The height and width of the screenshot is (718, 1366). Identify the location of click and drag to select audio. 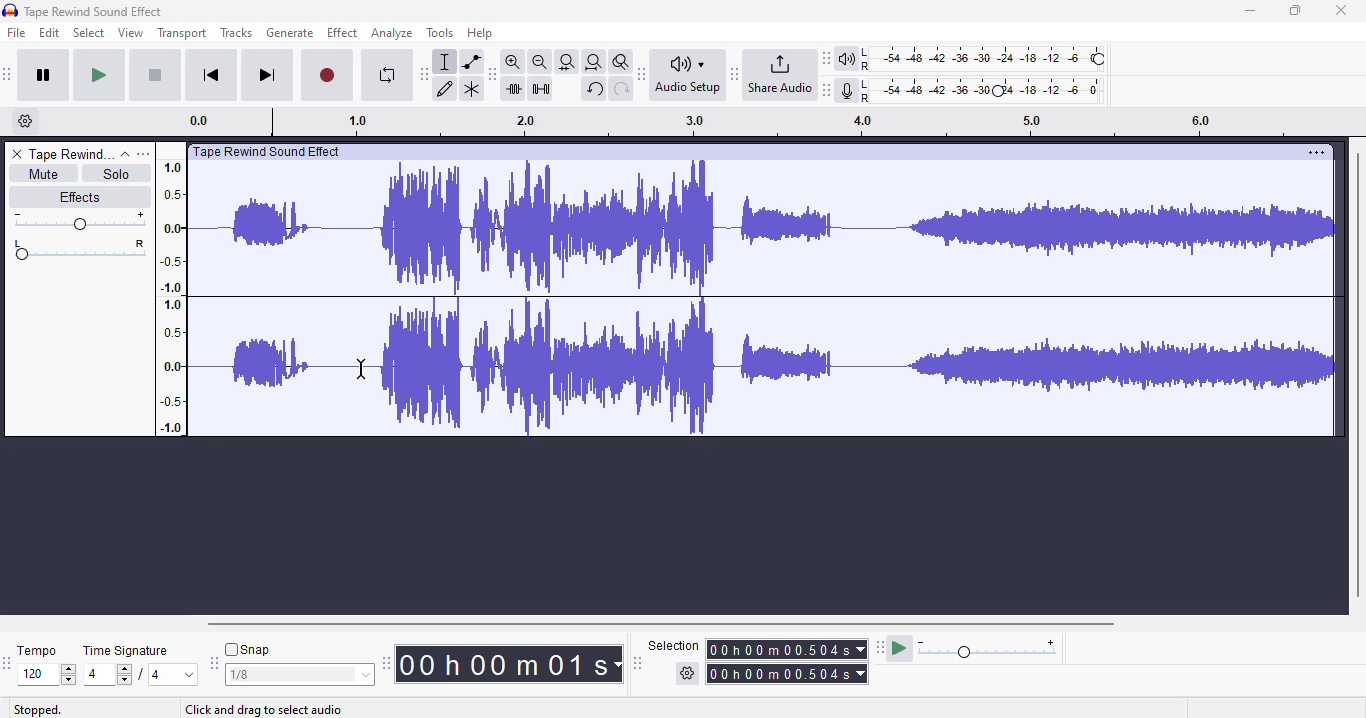
(263, 710).